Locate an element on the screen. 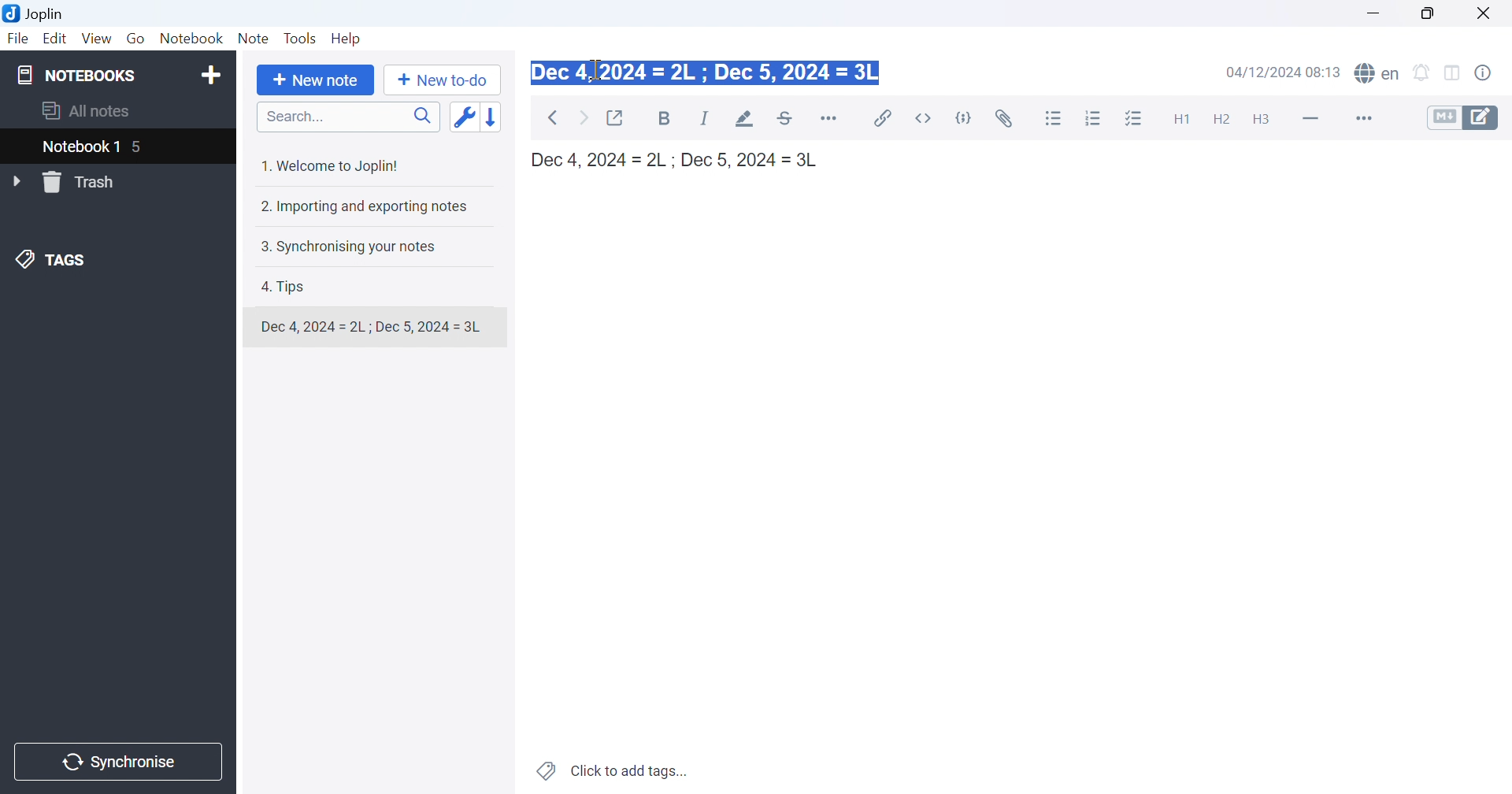 The width and height of the screenshot is (1512, 794). Dec 4, 2024 = 2L ; Dec 5, 2024 = 3L is located at coordinates (371, 327).